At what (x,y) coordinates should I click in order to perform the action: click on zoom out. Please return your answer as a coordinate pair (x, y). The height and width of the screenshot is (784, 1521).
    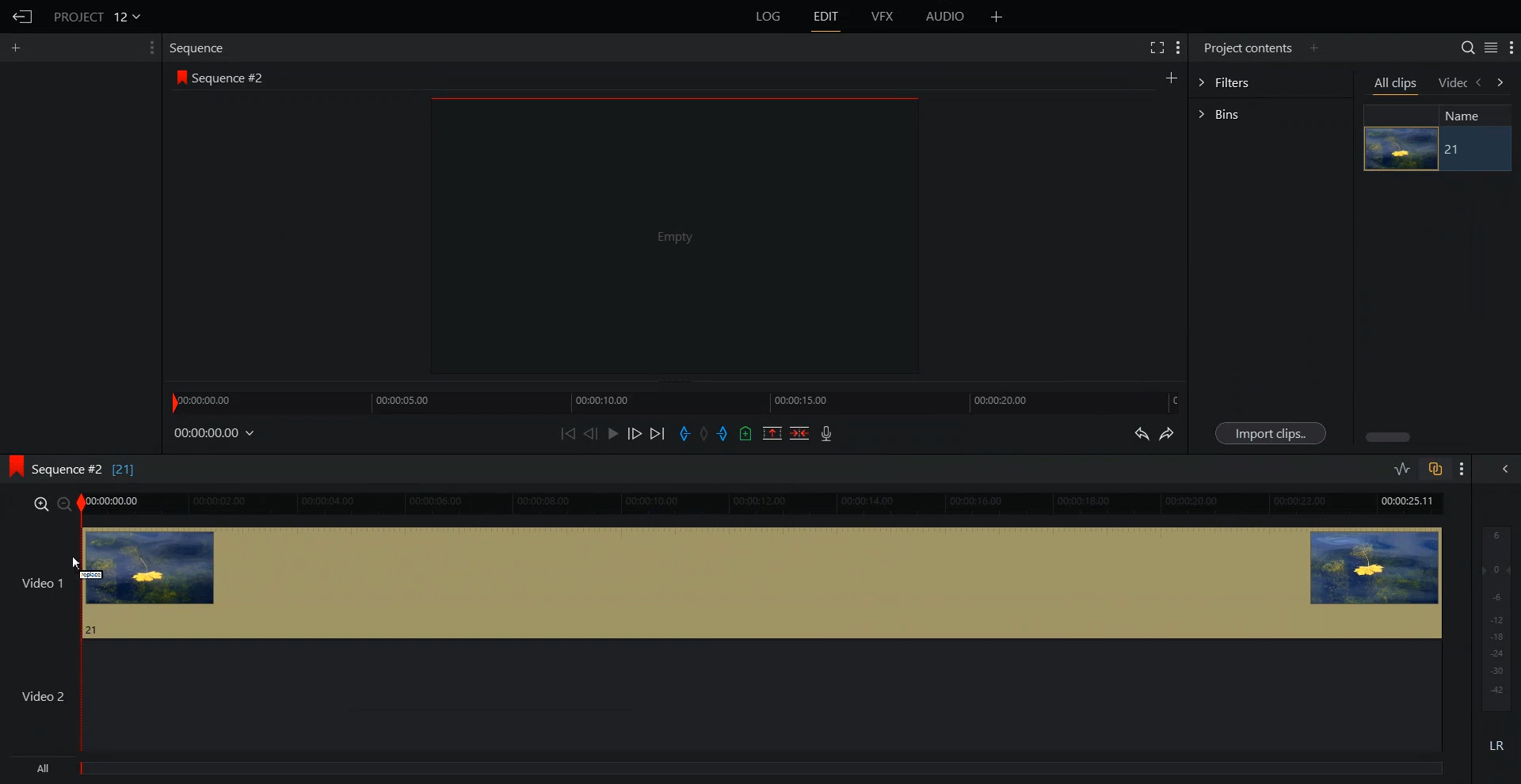
    Looking at the image, I should click on (64, 504).